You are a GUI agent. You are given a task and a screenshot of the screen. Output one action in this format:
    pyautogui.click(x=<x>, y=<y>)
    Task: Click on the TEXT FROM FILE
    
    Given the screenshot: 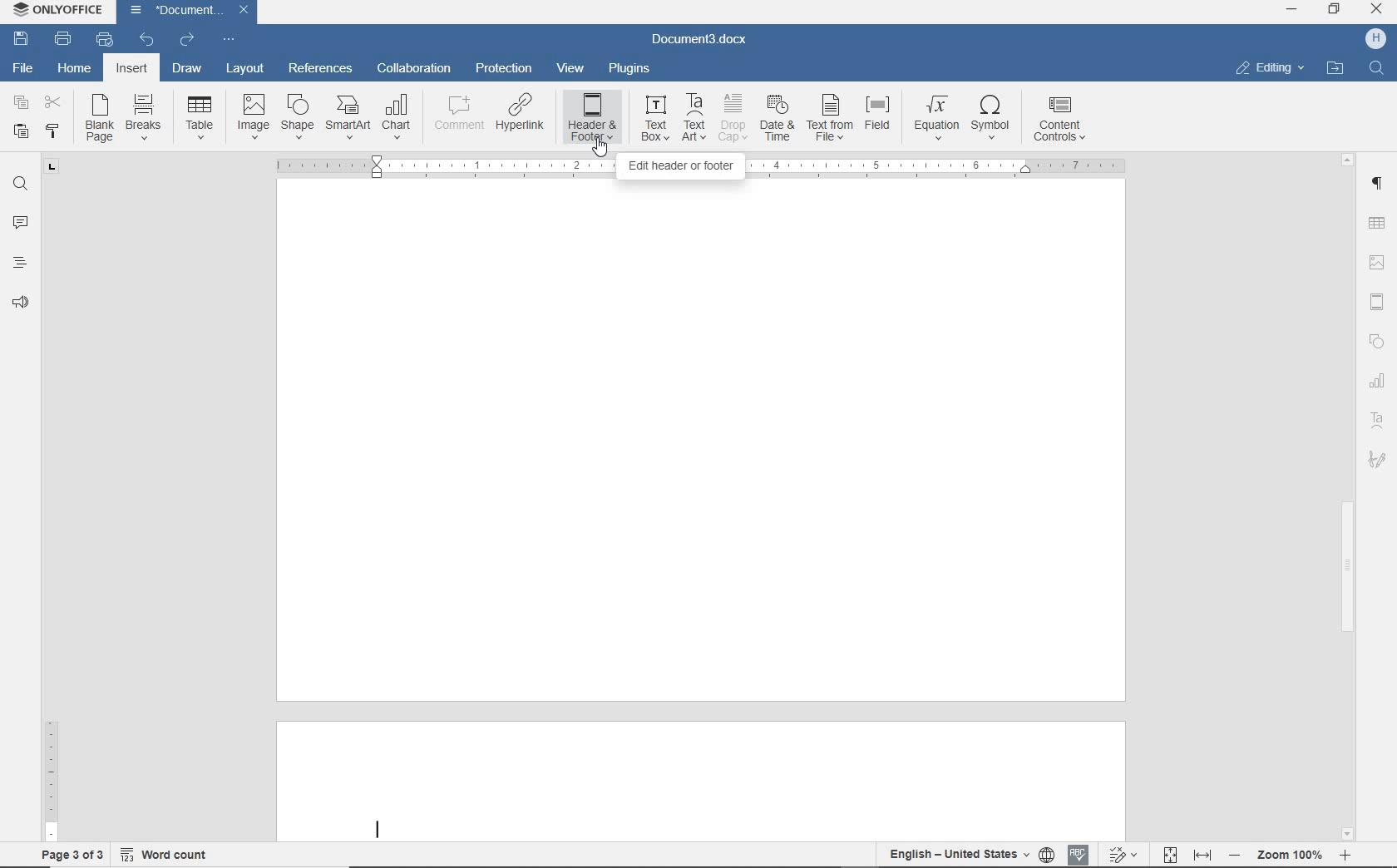 What is the action you would take?
    pyautogui.click(x=831, y=118)
    